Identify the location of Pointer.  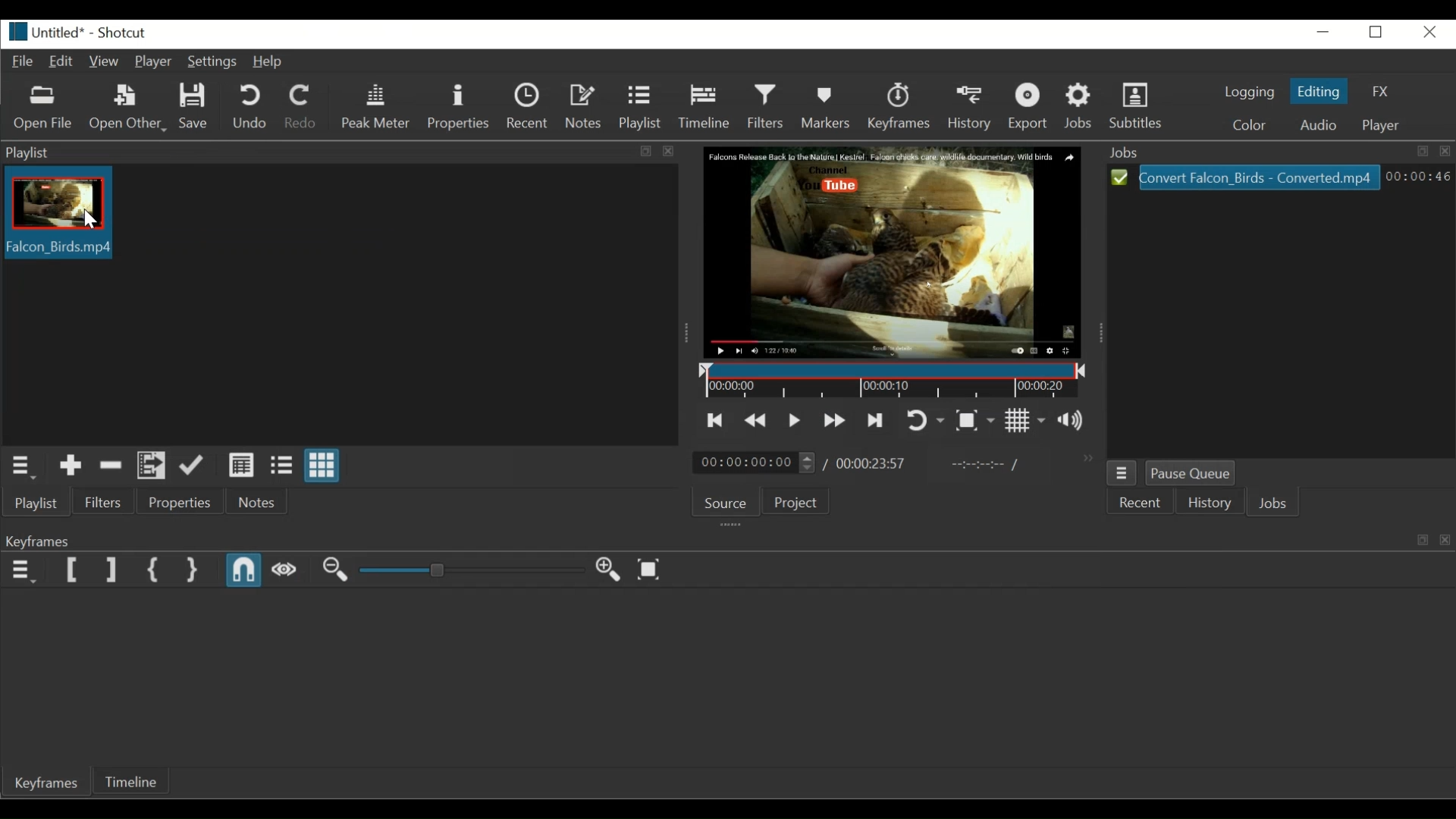
(89, 221).